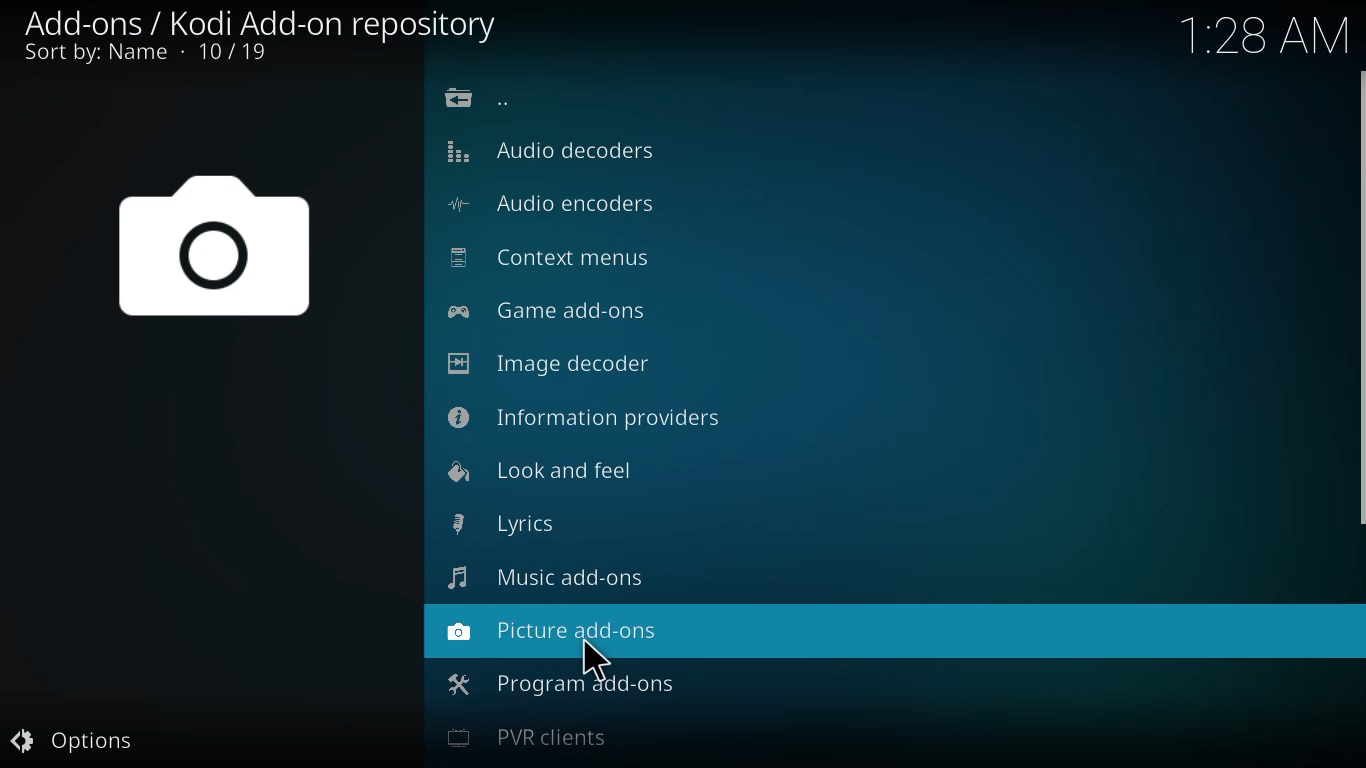 The width and height of the screenshot is (1366, 768). What do you see at coordinates (549, 575) in the screenshot?
I see `music add-ons` at bounding box center [549, 575].